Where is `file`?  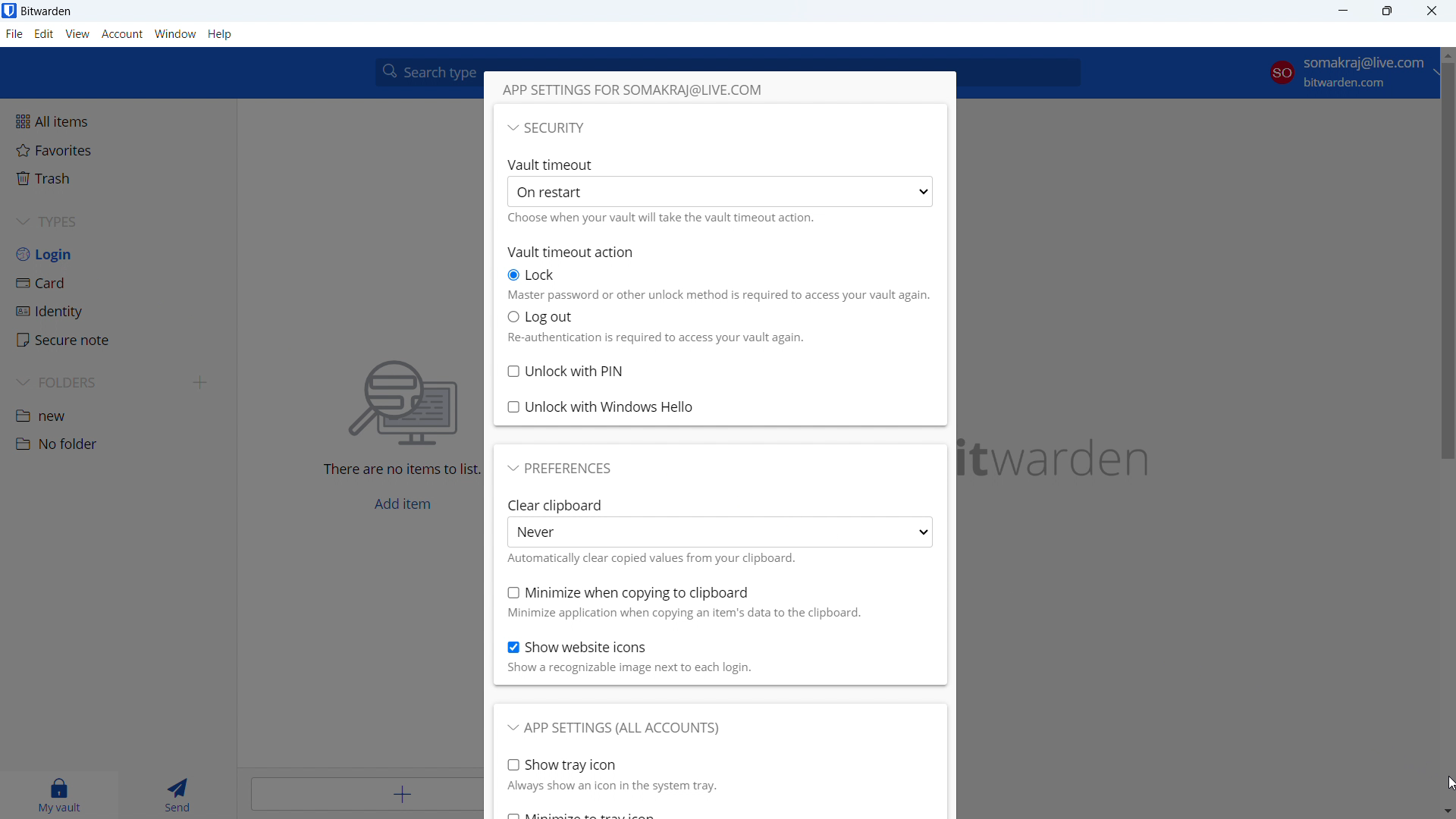 file is located at coordinates (14, 34).